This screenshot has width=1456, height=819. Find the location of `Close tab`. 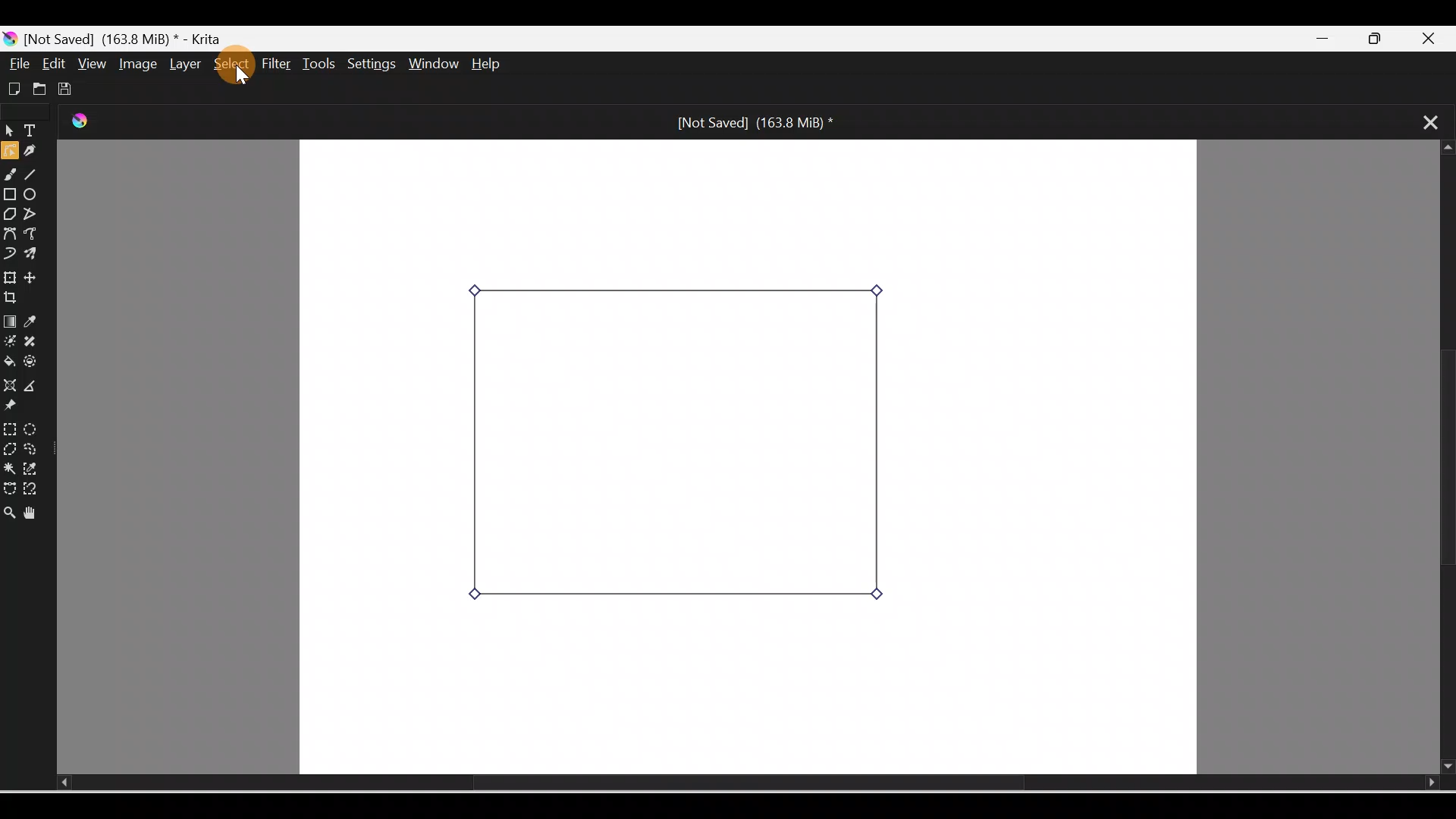

Close tab is located at coordinates (1423, 121).